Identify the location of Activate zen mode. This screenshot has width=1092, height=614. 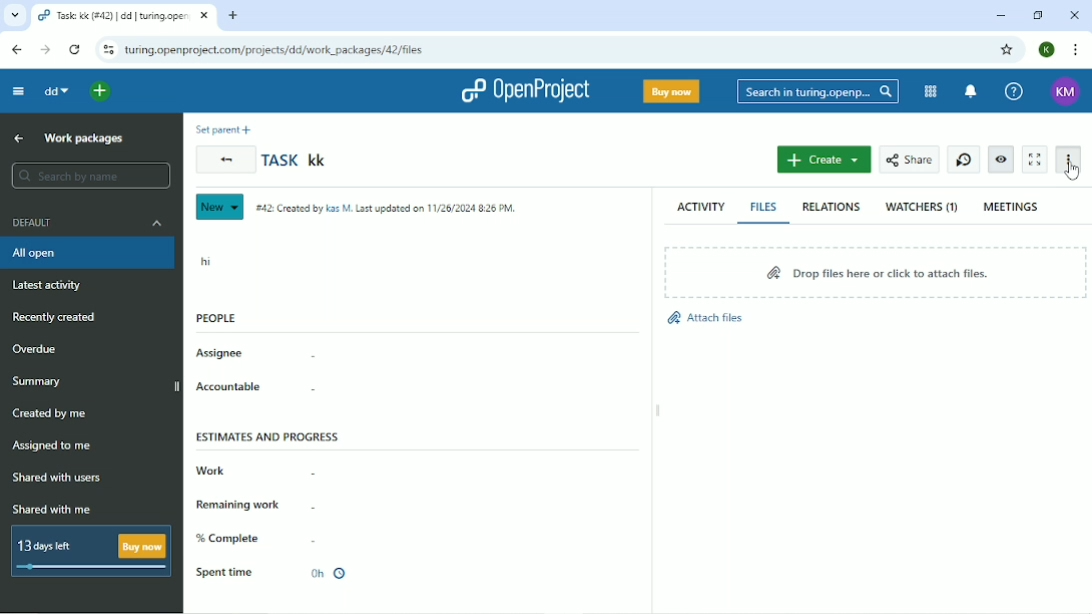
(1034, 159).